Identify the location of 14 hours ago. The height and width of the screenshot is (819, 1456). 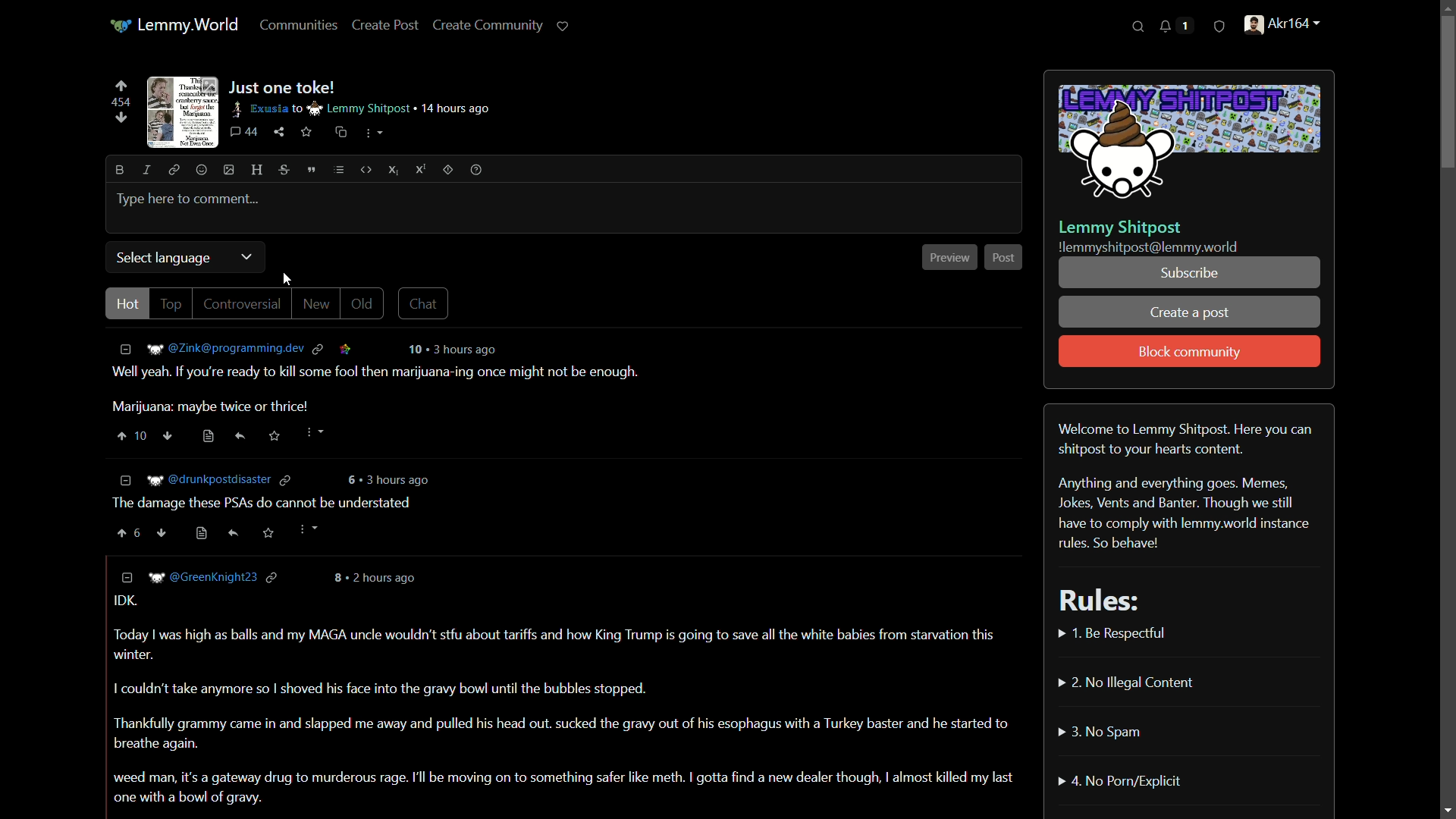
(458, 109).